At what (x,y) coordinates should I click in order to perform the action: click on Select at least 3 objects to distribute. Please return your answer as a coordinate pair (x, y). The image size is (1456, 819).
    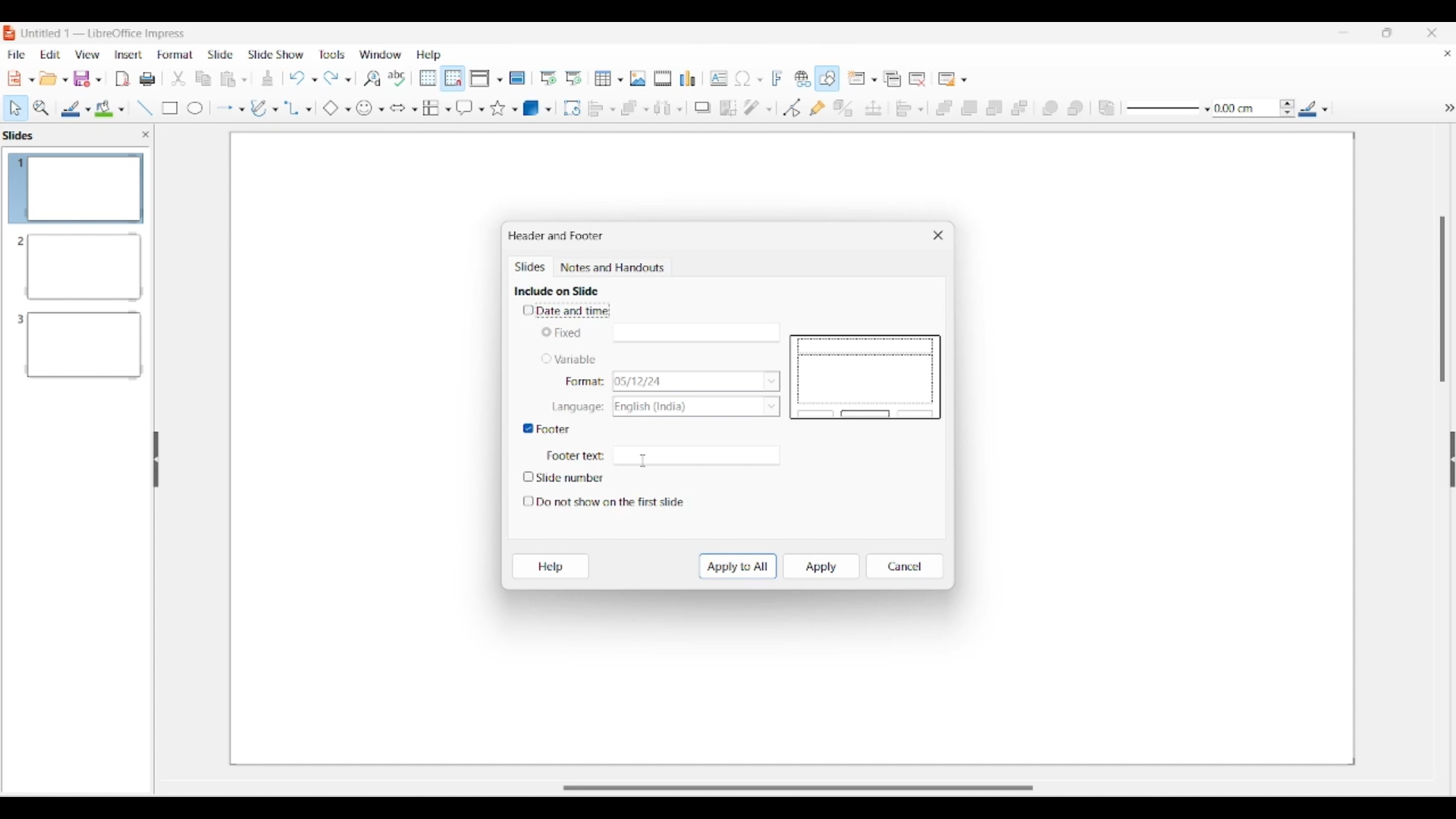
    Looking at the image, I should click on (668, 108).